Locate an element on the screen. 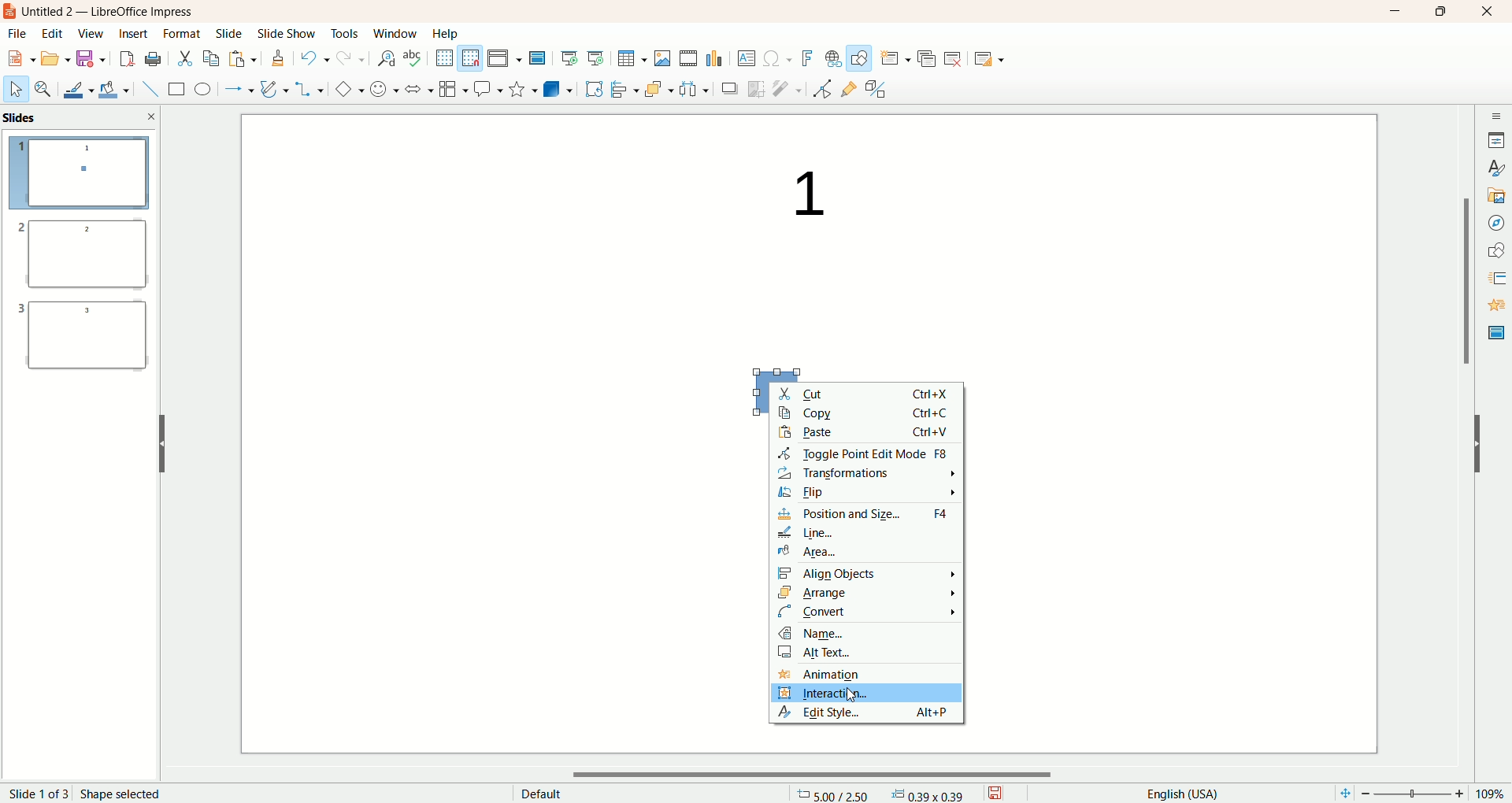  save is located at coordinates (1000, 791).